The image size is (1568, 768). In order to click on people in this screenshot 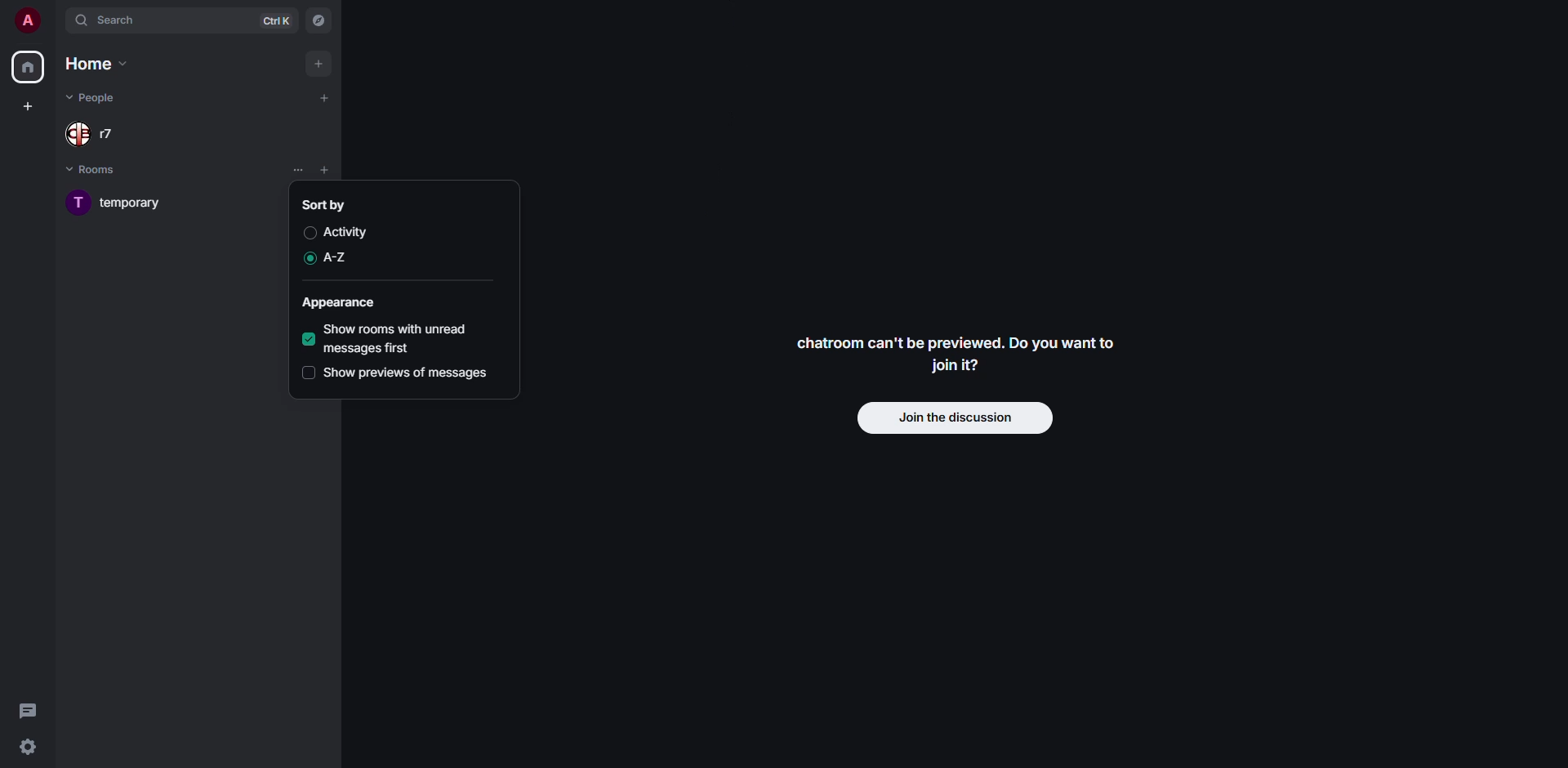, I will do `click(98, 98)`.